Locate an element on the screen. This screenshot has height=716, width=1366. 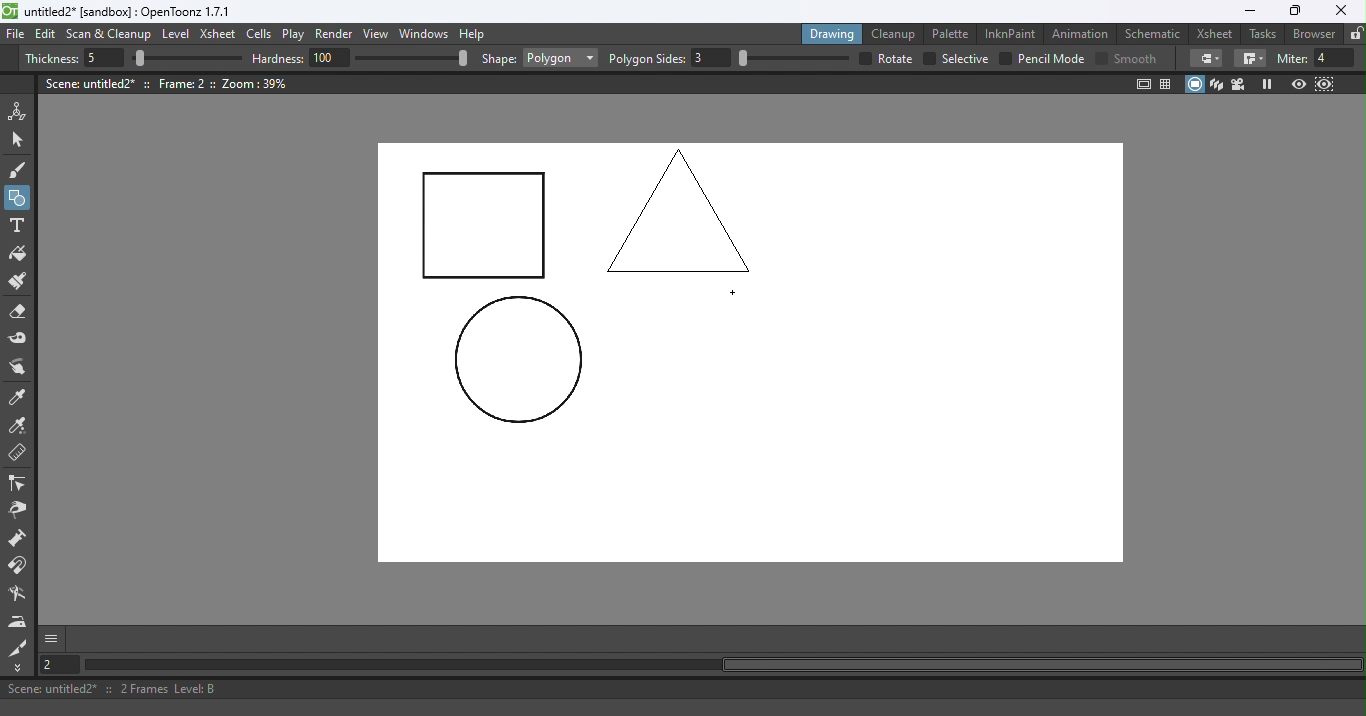
Cursor is located at coordinates (736, 294).